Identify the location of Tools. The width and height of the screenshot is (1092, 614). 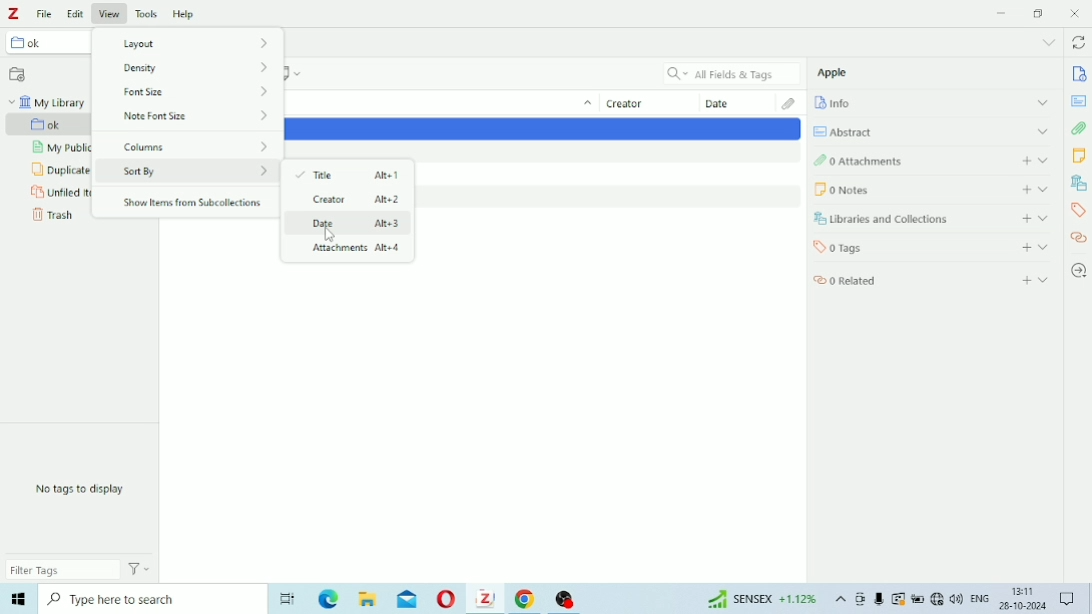
(146, 11).